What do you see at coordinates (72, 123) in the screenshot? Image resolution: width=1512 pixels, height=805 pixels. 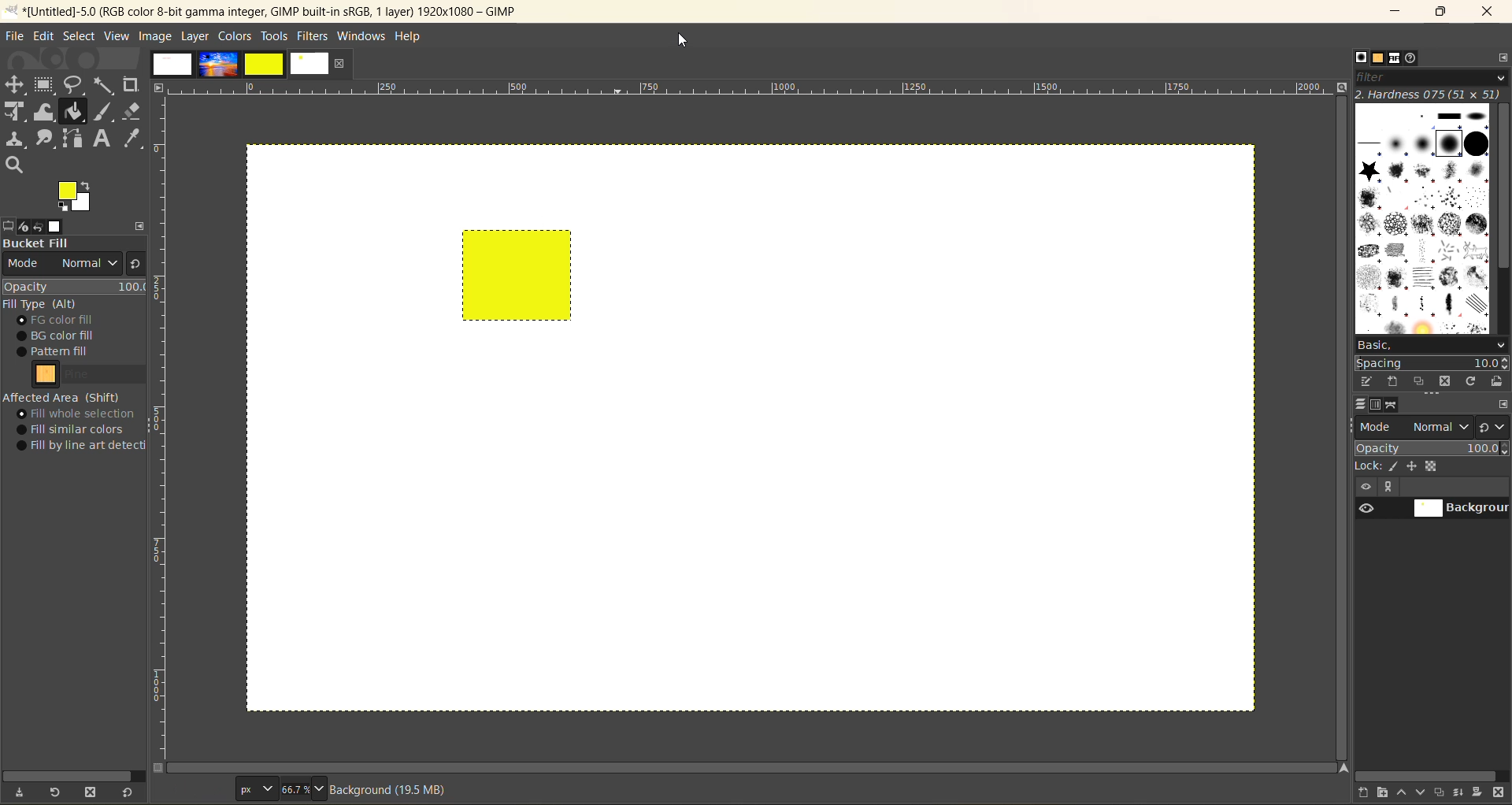 I see `tools` at bounding box center [72, 123].